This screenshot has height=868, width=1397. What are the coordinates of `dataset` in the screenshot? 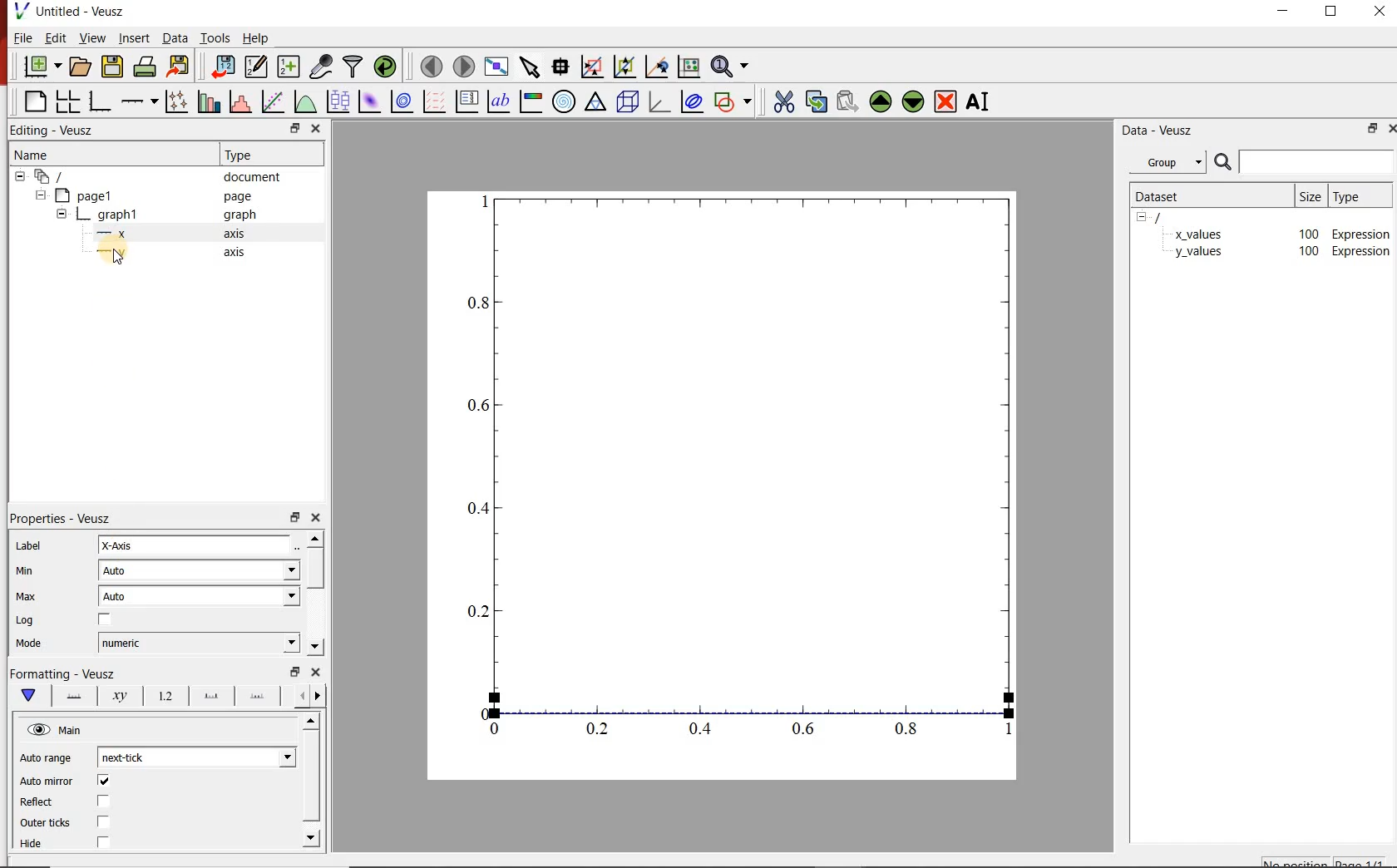 It's located at (1170, 196).